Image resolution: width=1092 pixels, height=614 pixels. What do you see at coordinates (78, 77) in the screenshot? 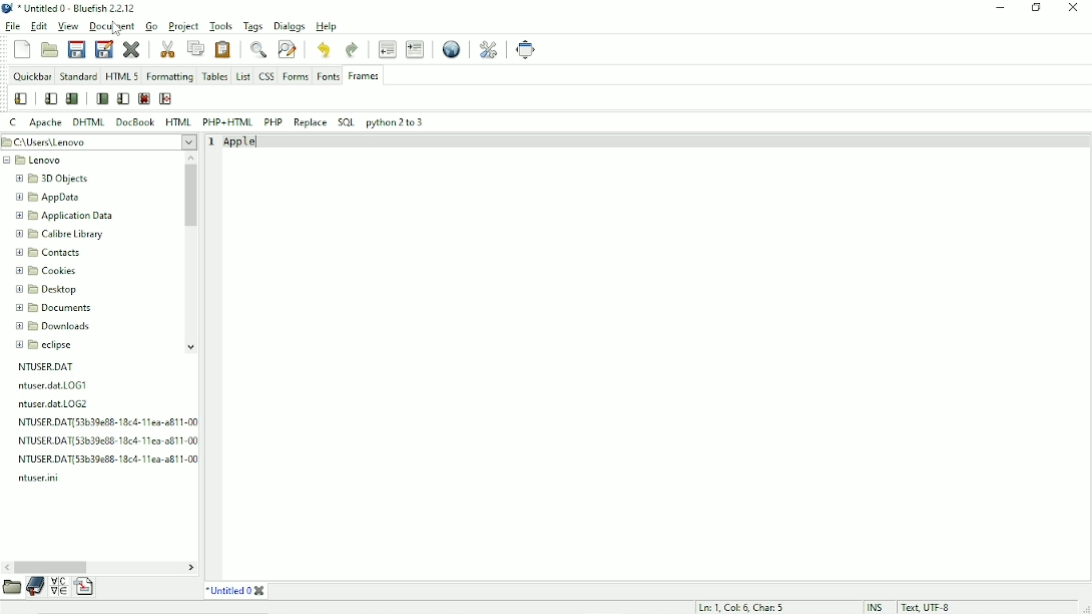
I see `Standard` at bounding box center [78, 77].